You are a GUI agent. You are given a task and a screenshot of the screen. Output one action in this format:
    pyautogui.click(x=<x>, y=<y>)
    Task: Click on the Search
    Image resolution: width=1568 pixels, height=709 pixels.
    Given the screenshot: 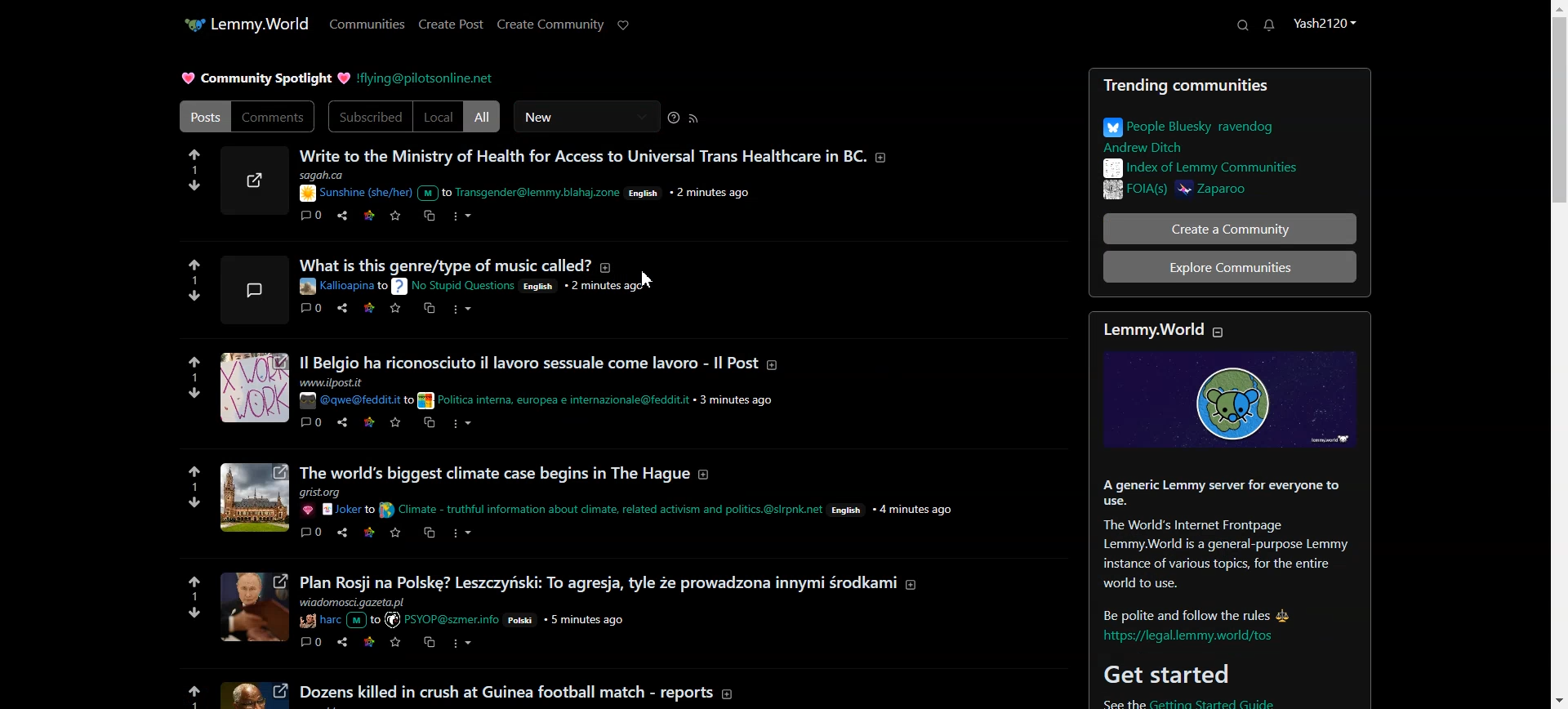 What is the action you would take?
    pyautogui.click(x=1243, y=25)
    